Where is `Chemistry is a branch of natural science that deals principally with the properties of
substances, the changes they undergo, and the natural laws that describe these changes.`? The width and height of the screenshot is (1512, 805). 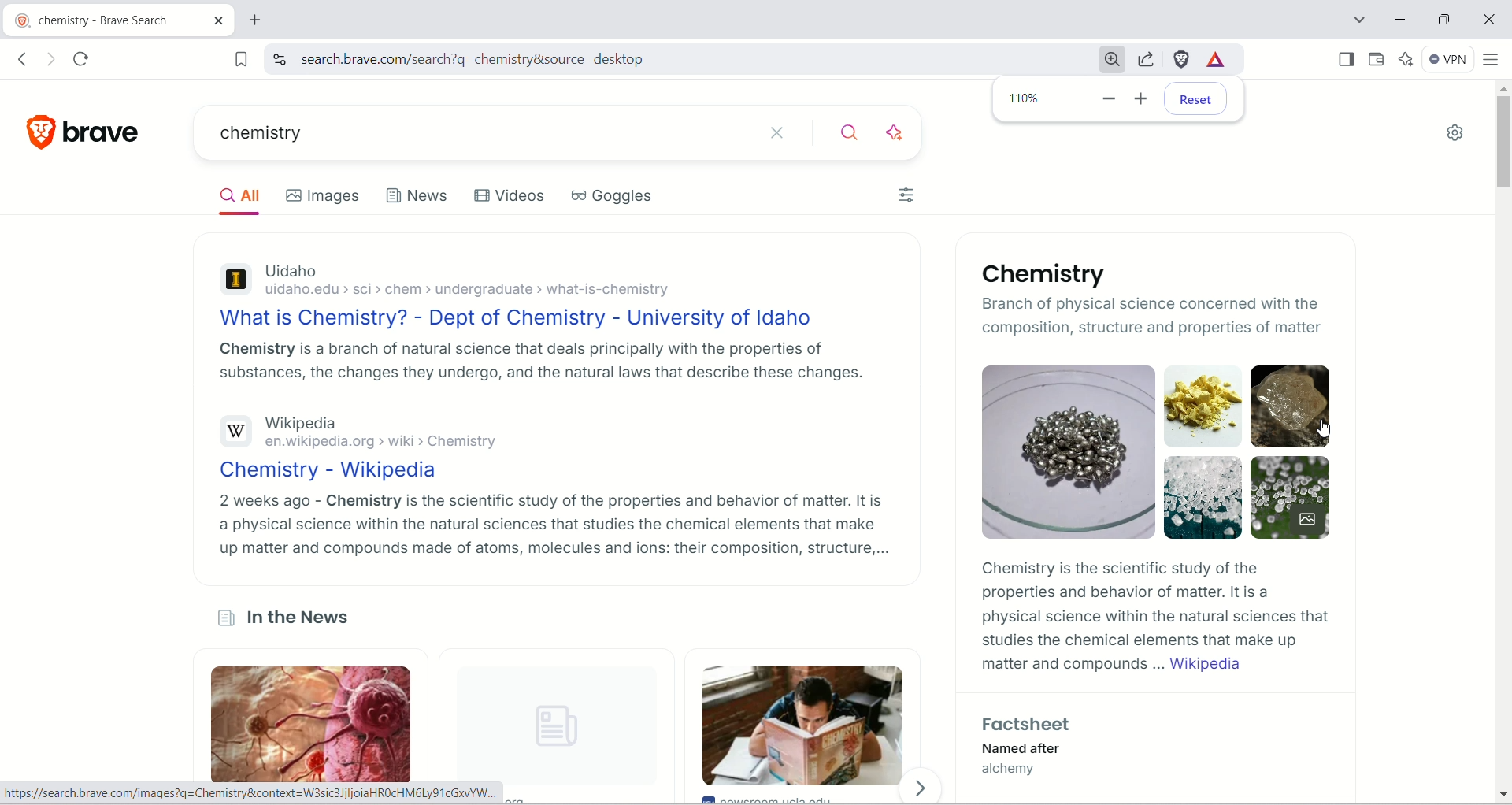 Chemistry is a branch of natural science that deals principally with the properties of
substances, the changes they undergo, and the natural laws that describe these changes. is located at coordinates (547, 362).